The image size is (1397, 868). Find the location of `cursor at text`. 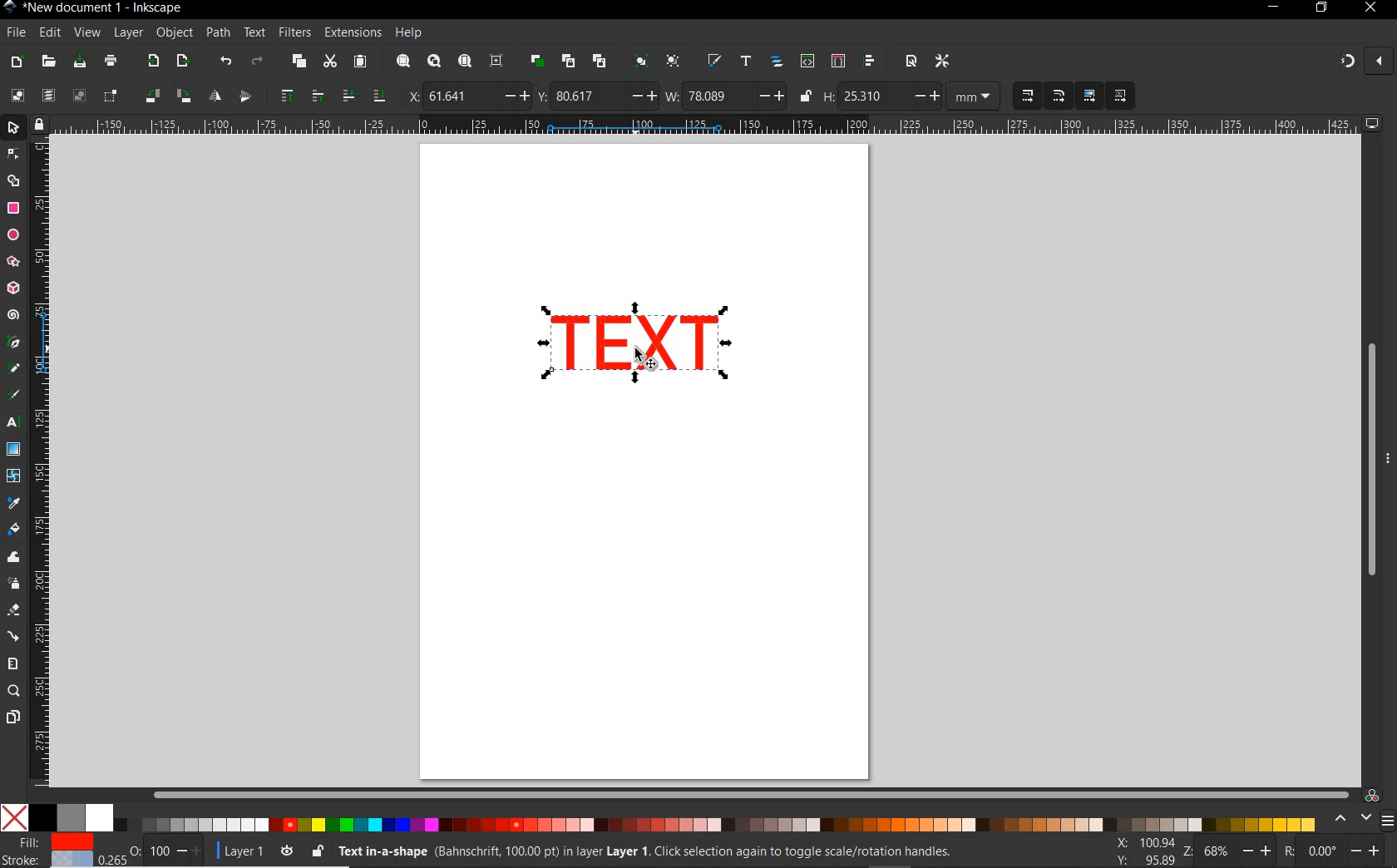

cursor at text is located at coordinates (647, 359).